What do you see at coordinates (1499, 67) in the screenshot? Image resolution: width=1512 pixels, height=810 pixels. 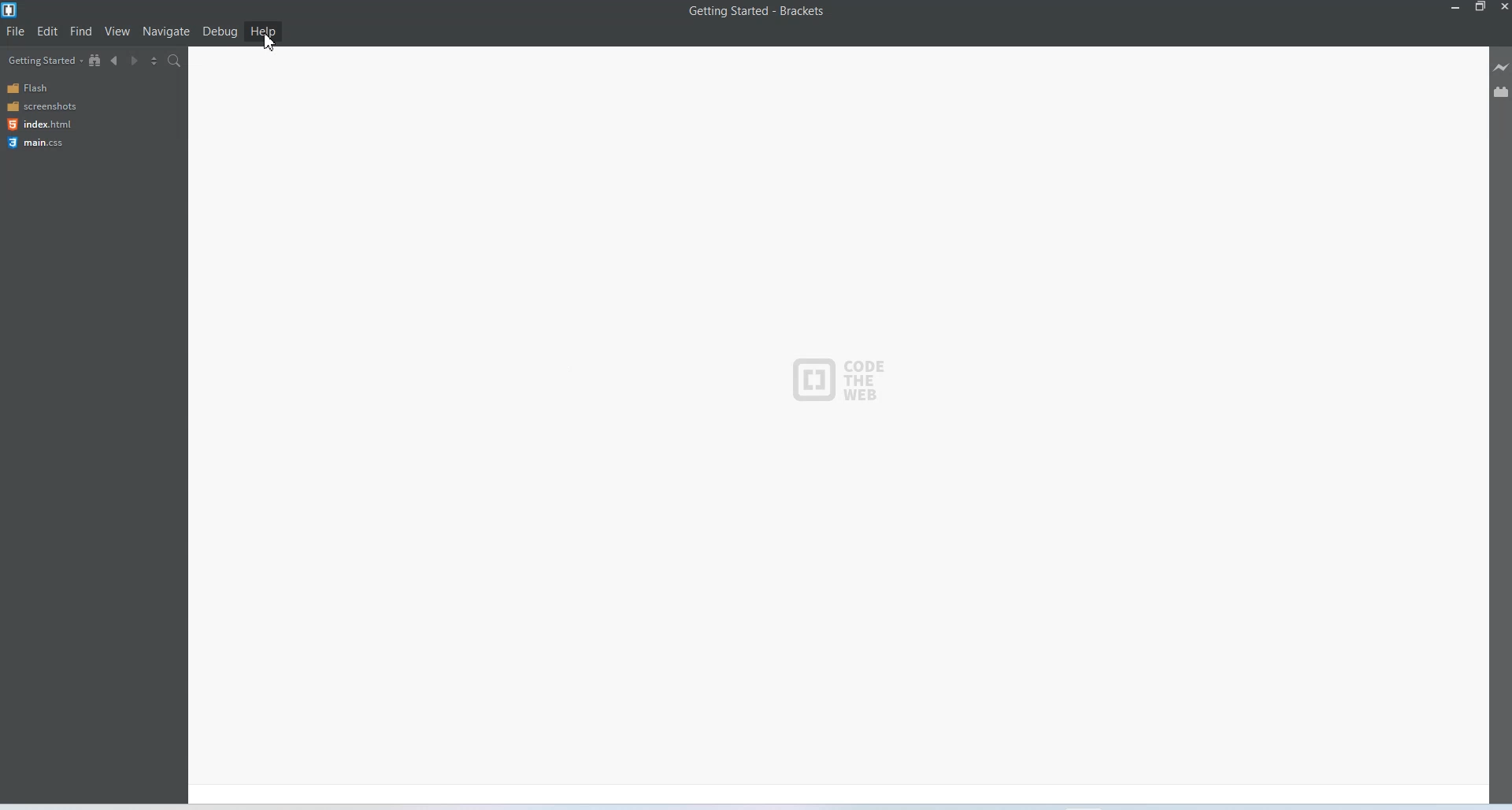 I see `Live Preview` at bounding box center [1499, 67].